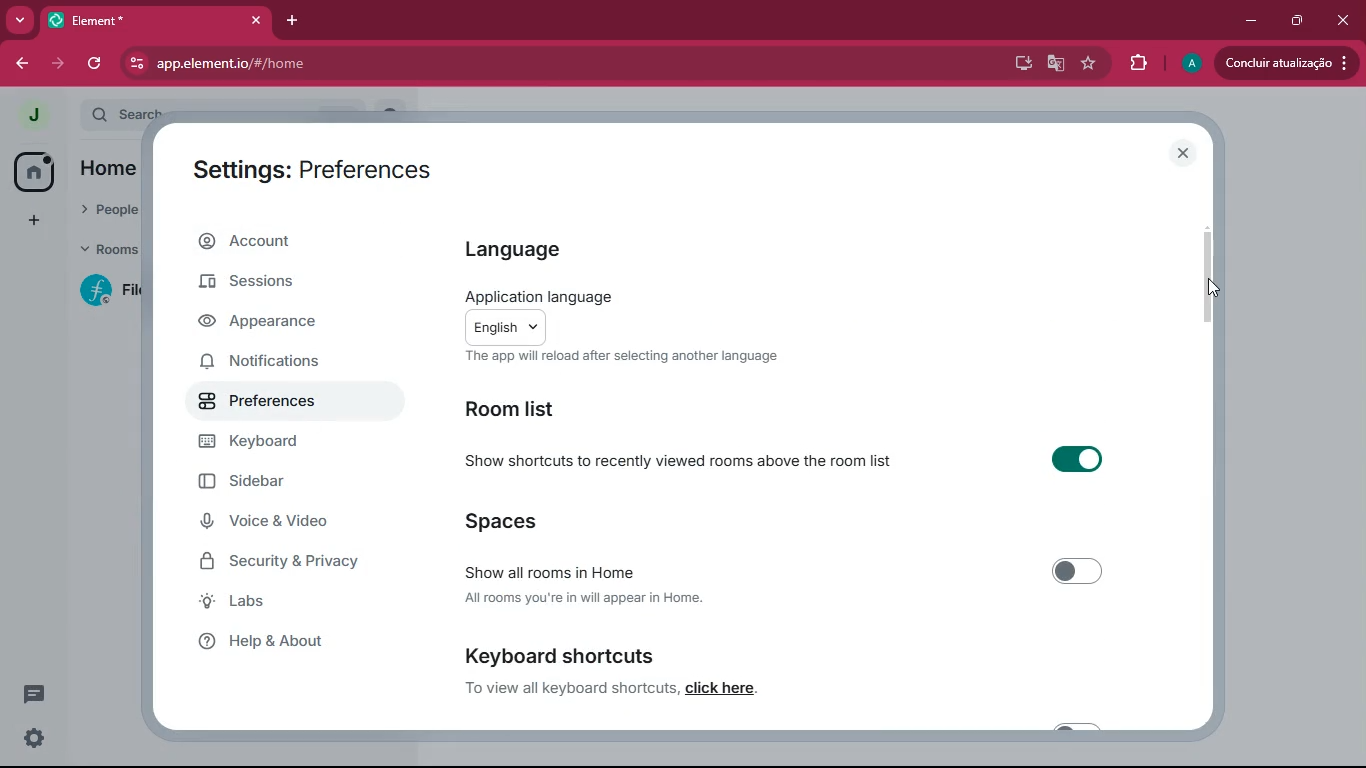  I want to click on extensions, so click(1139, 64).